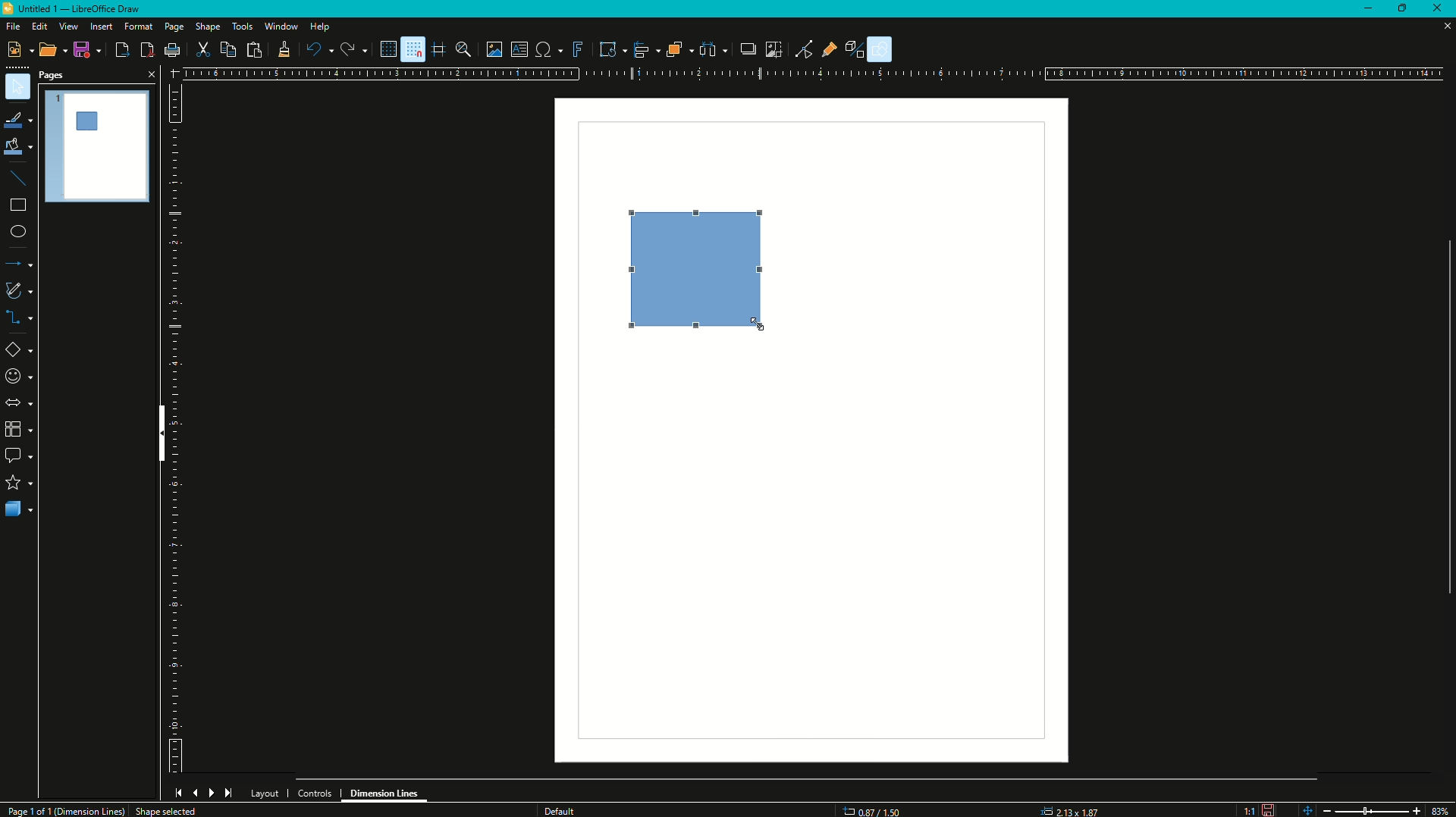 This screenshot has width=1456, height=817. Describe the element at coordinates (20, 352) in the screenshot. I see `Insert Shapes` at that location.